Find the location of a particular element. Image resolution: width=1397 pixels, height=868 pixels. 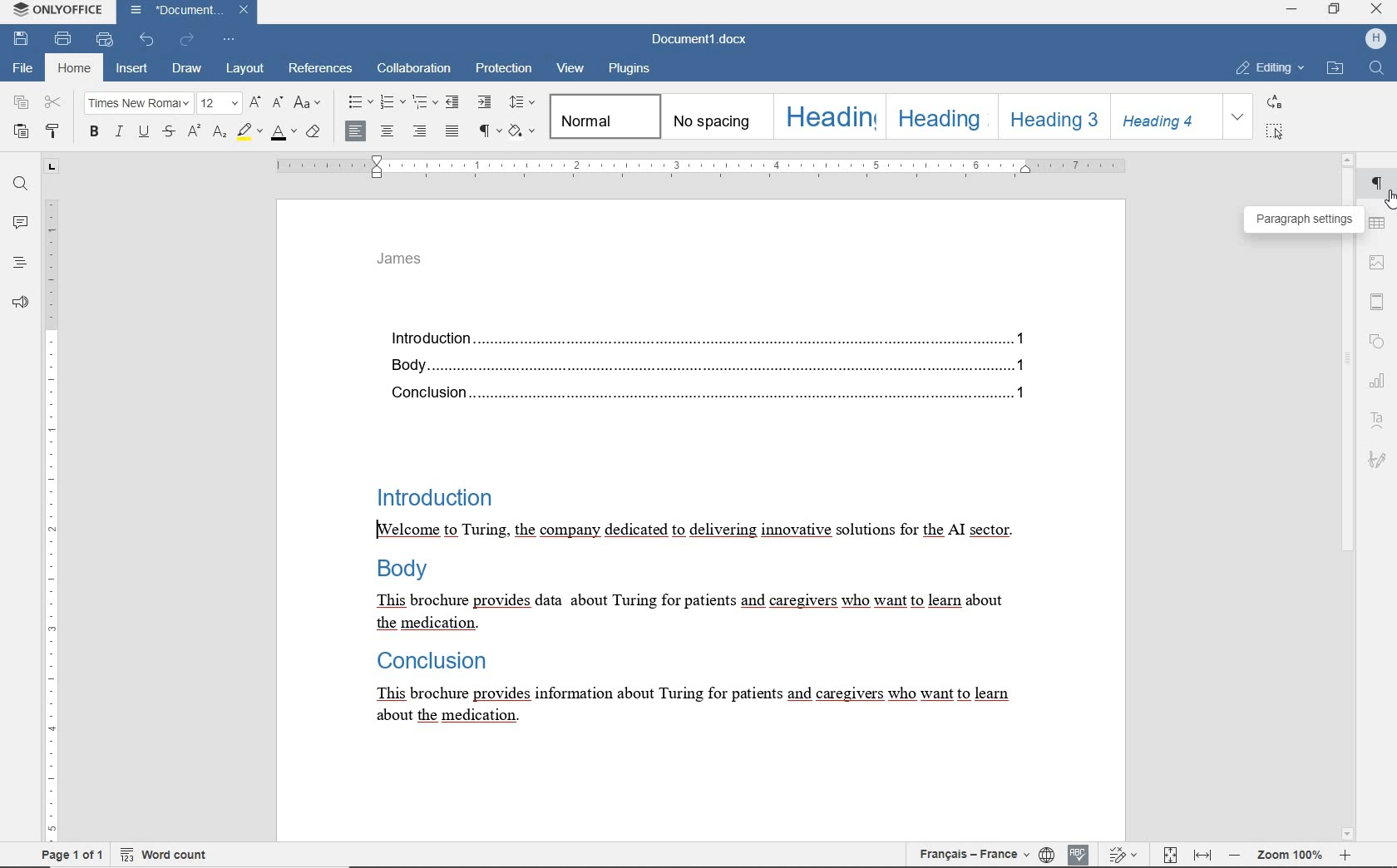

clear style is located at coordinates (314, 131).